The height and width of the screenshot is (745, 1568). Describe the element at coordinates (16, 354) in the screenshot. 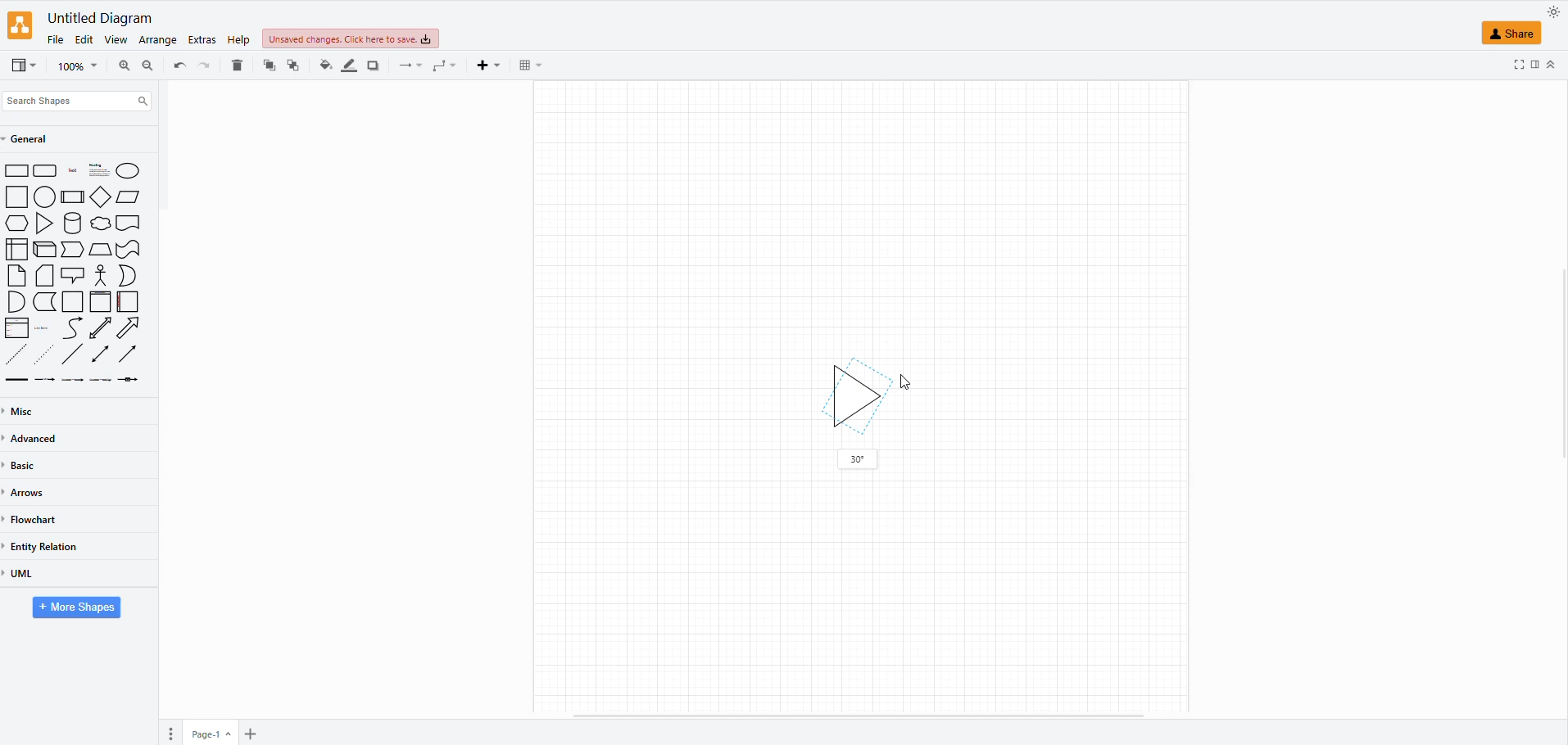

I see `Close Dotted Arrow` at that location.